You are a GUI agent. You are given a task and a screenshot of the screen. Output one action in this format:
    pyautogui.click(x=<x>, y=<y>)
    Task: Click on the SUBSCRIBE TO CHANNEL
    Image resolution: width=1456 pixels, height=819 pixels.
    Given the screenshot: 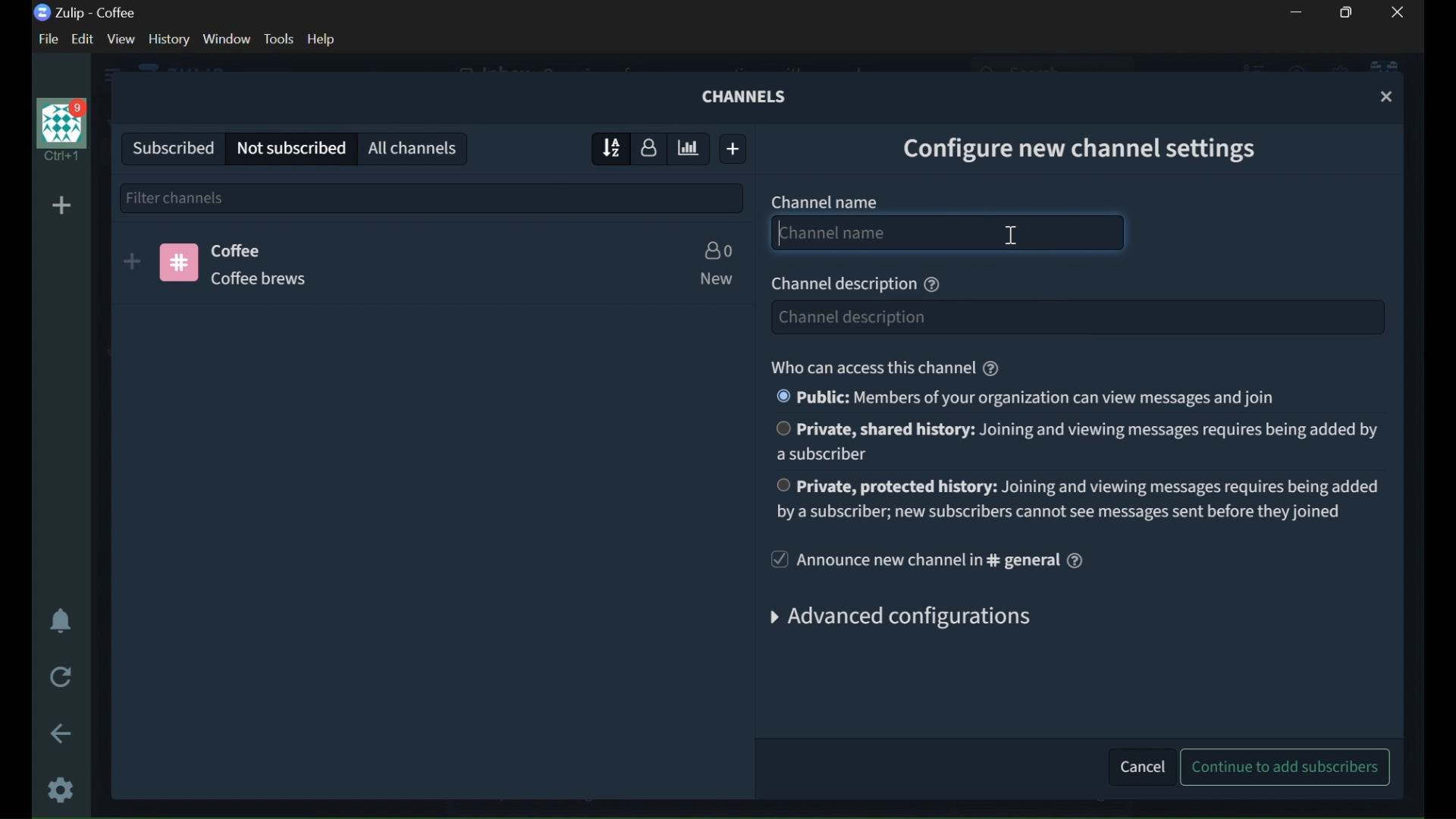 What is the action you would take?
    pyautogui.click(x=132, y=262)
    